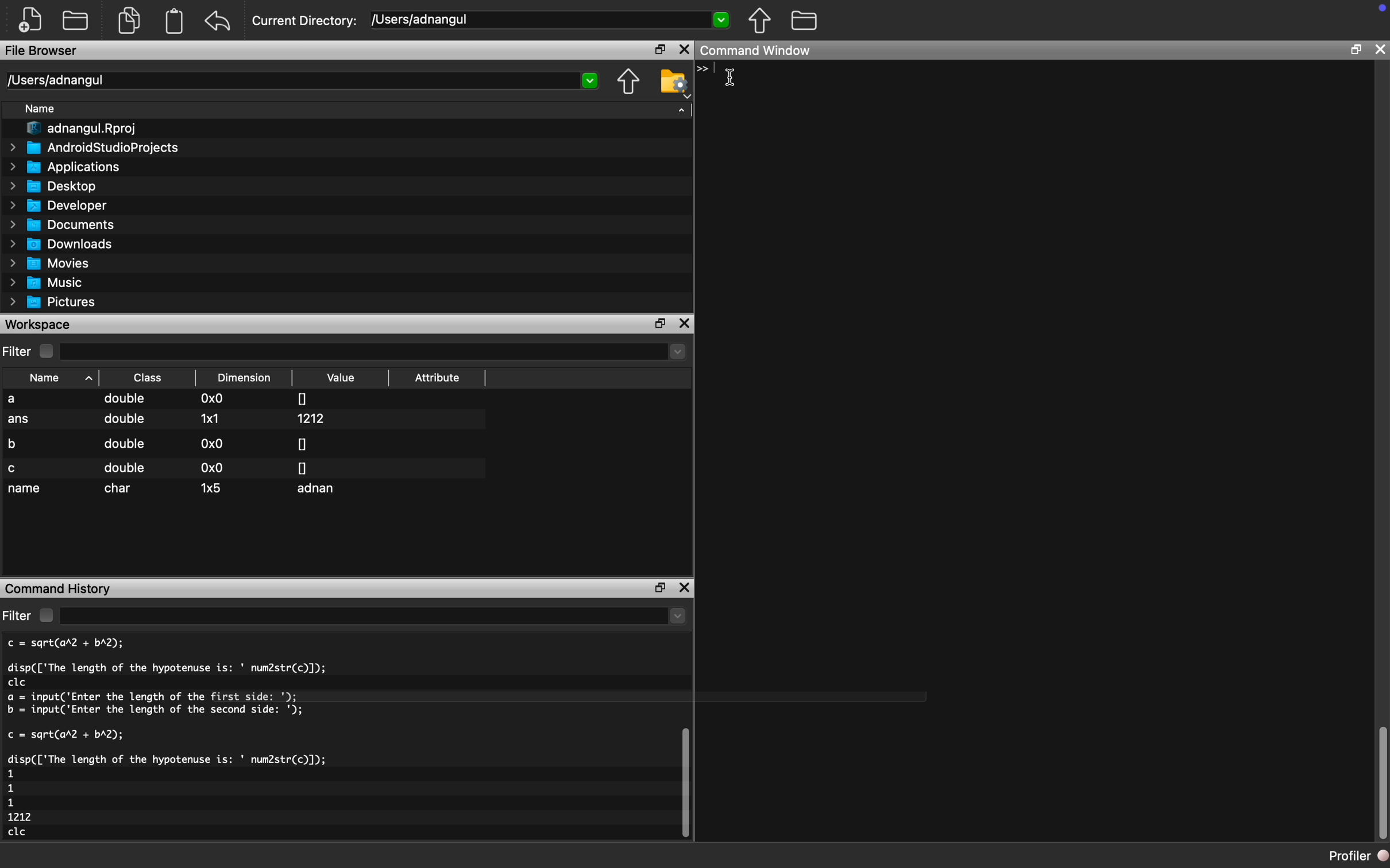  What do you see at coordinates (17, 442) in the screenshot?
I see `b` at bounding box center [17, 442].